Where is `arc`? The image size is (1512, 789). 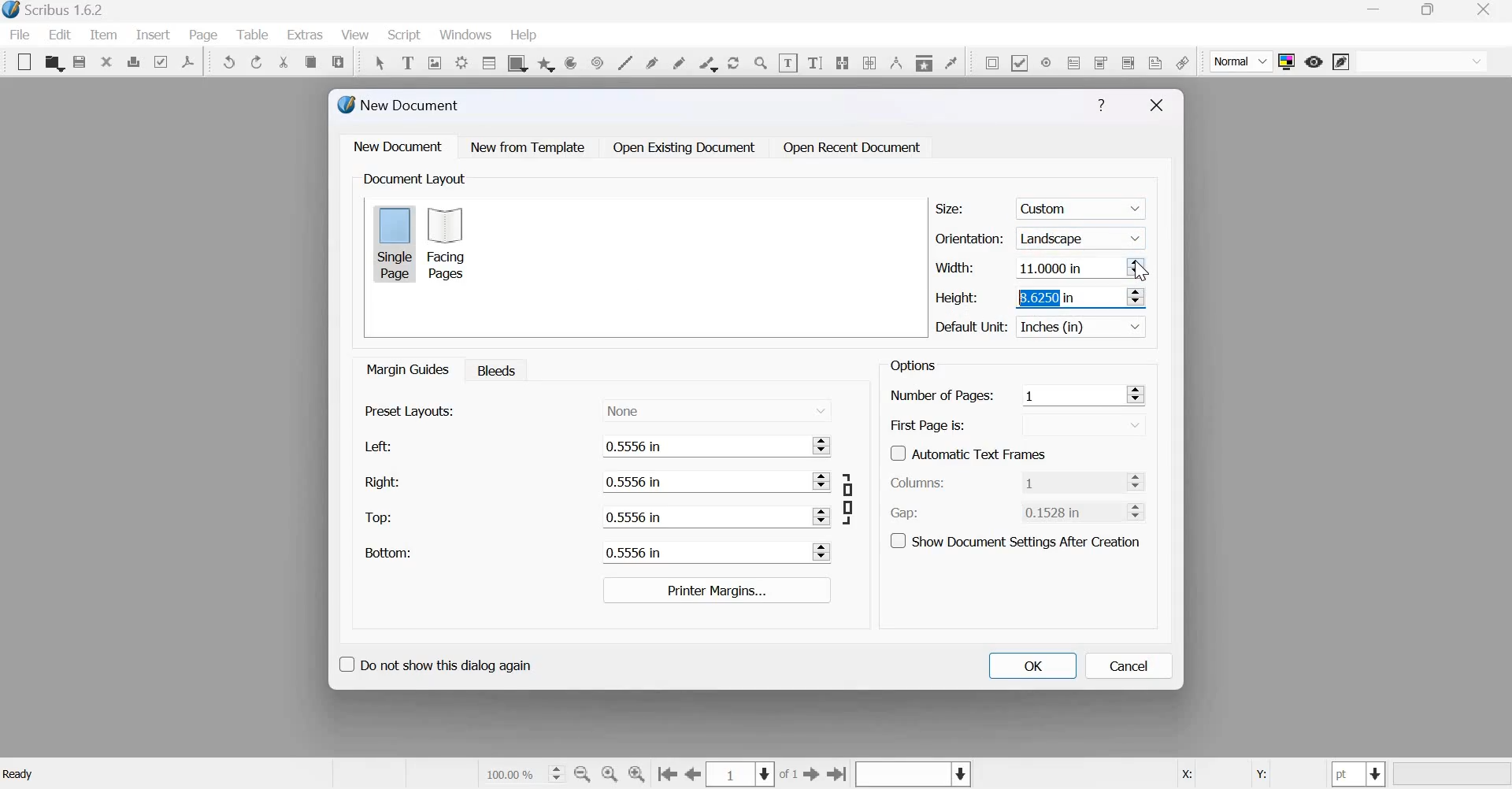 arc is located at coordinates (570, 62).